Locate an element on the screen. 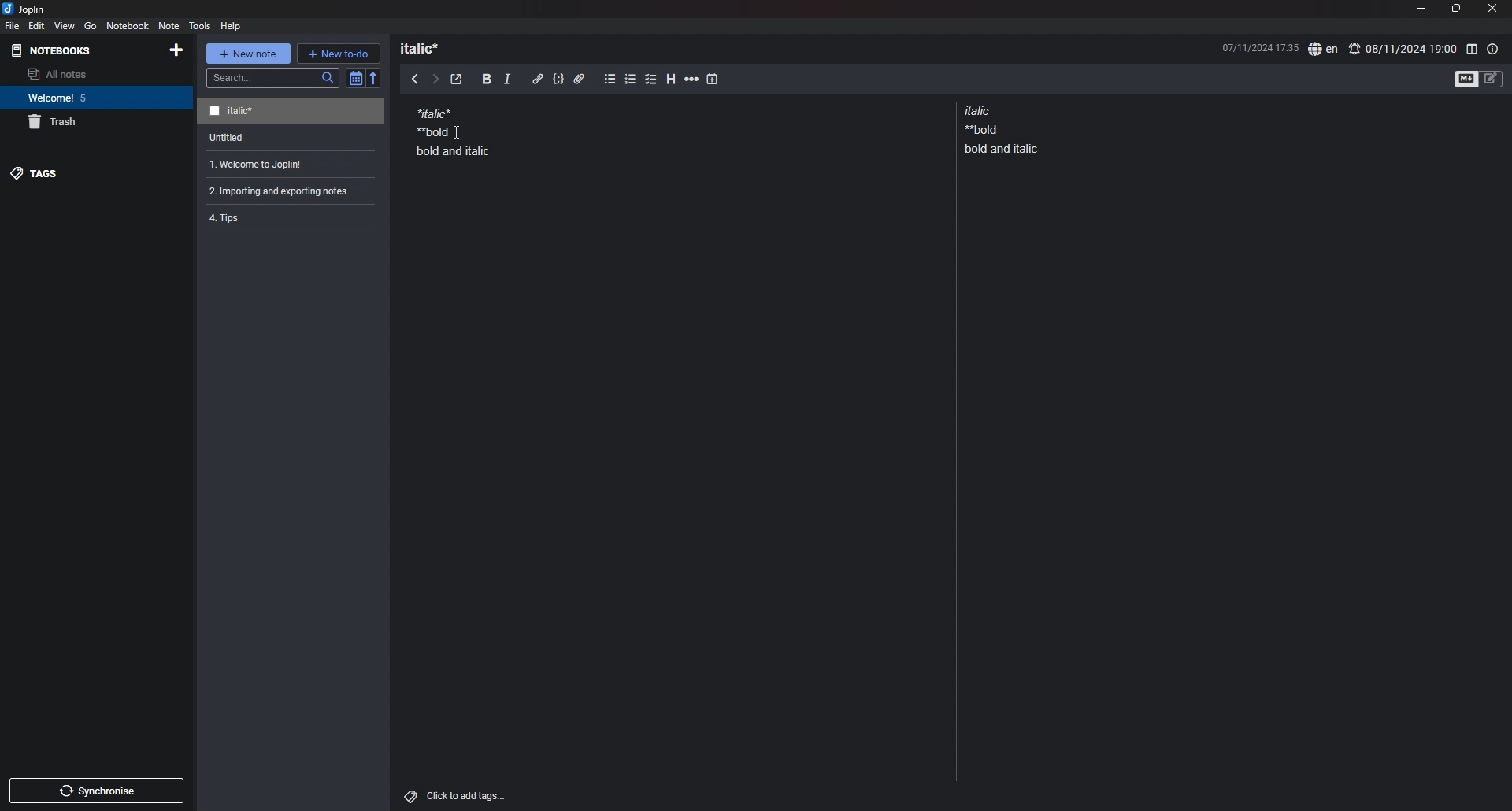  heading is located at coordinates (427, 48).